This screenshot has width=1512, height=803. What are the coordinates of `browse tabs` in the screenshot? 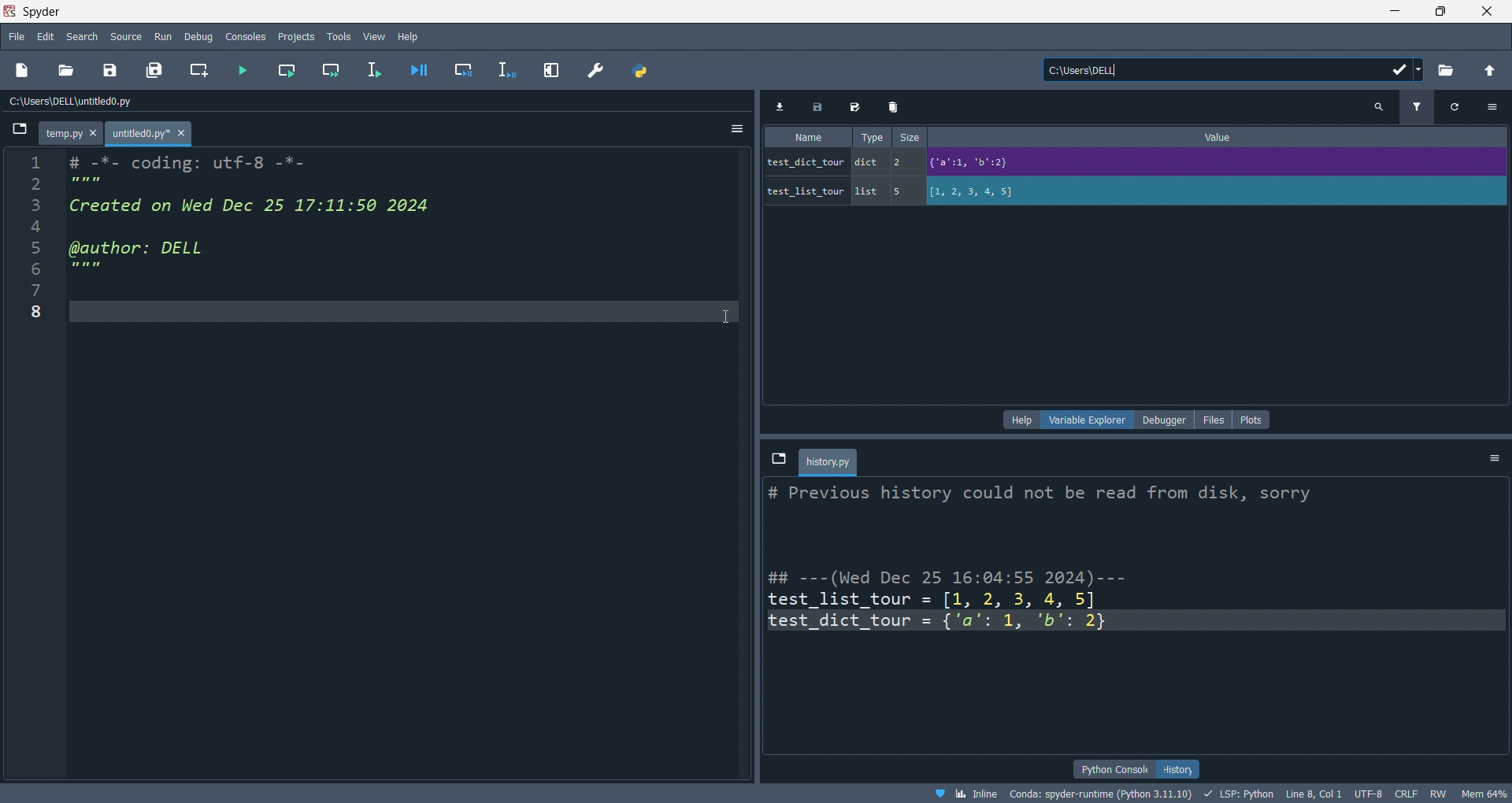 It's located at (18, 133).